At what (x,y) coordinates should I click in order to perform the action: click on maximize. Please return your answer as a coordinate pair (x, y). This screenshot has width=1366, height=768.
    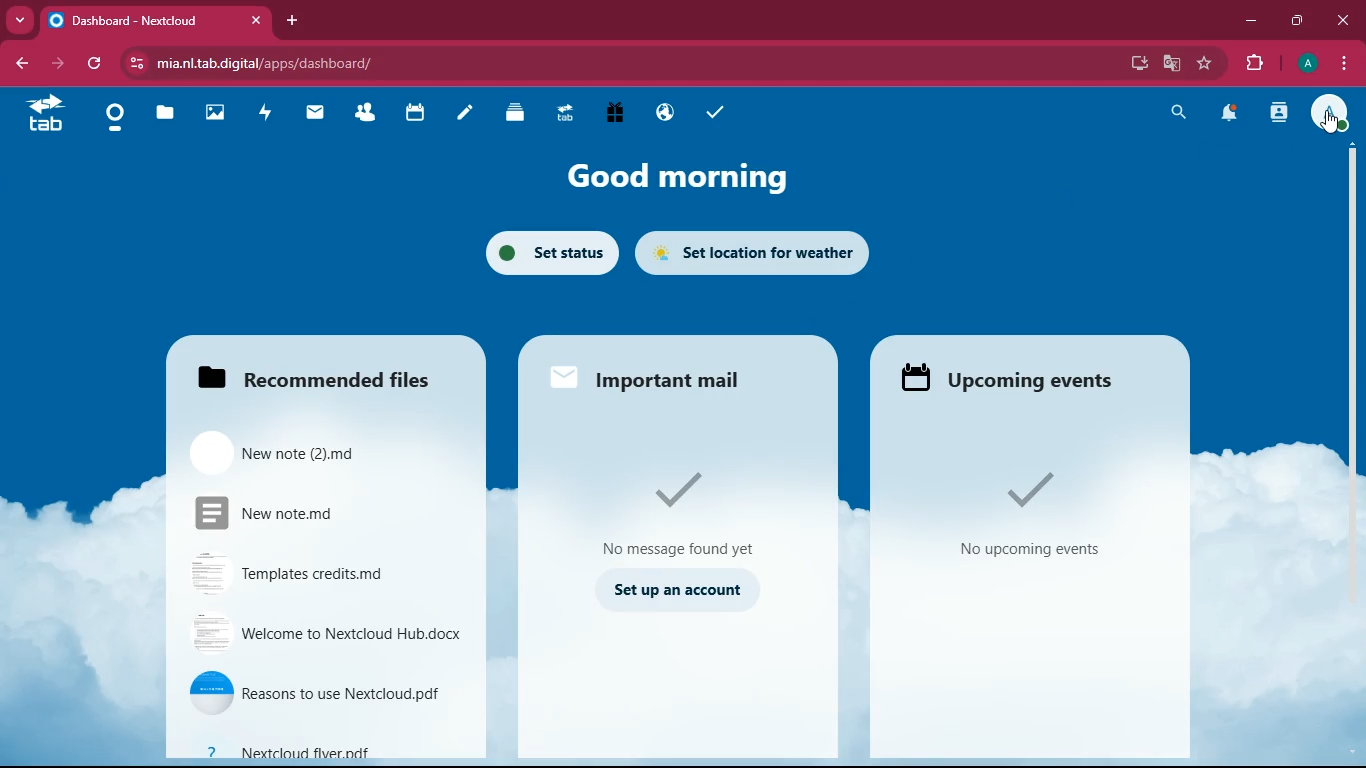
    Looking at the image, I should click on (1297, 22).